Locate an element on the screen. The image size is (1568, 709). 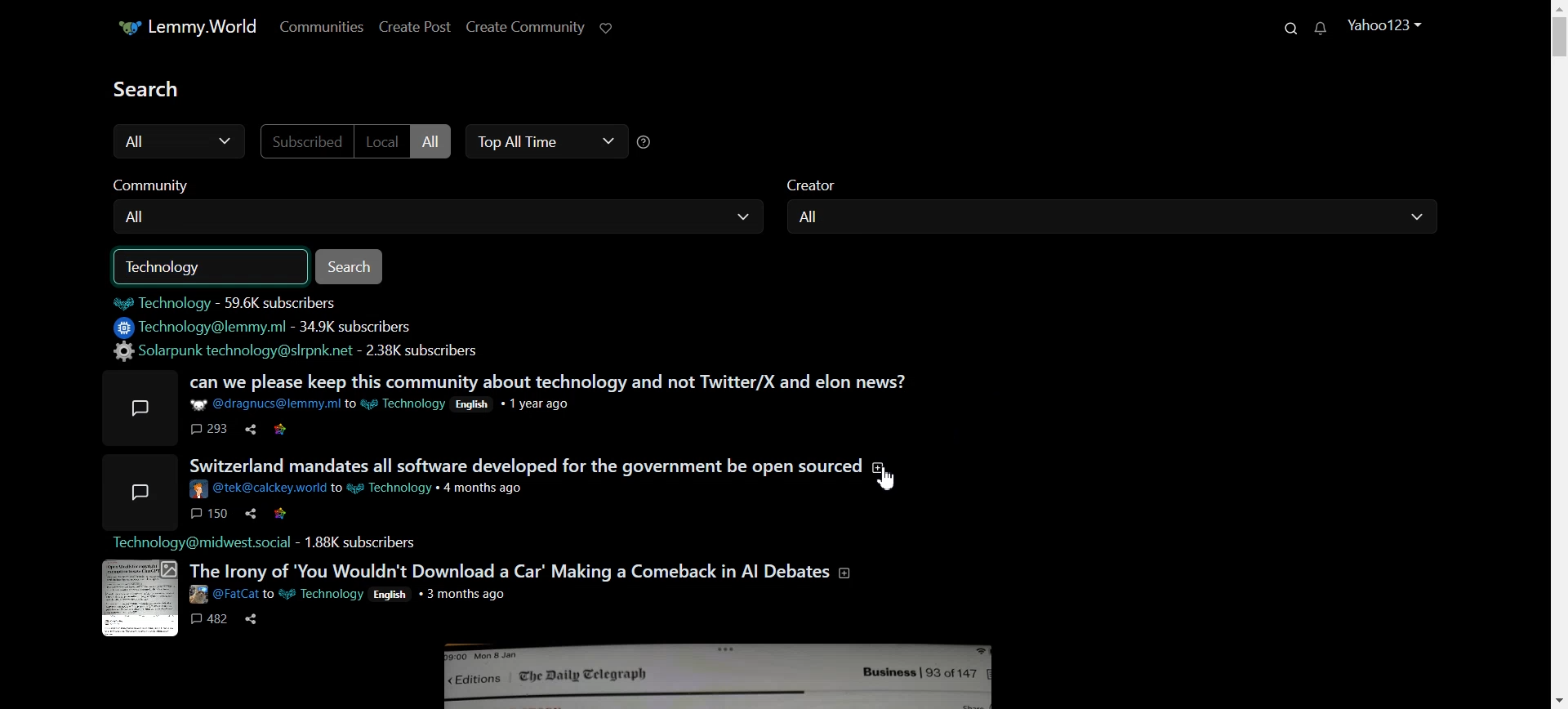
Support Limmy is located at coordinates (615, 29).